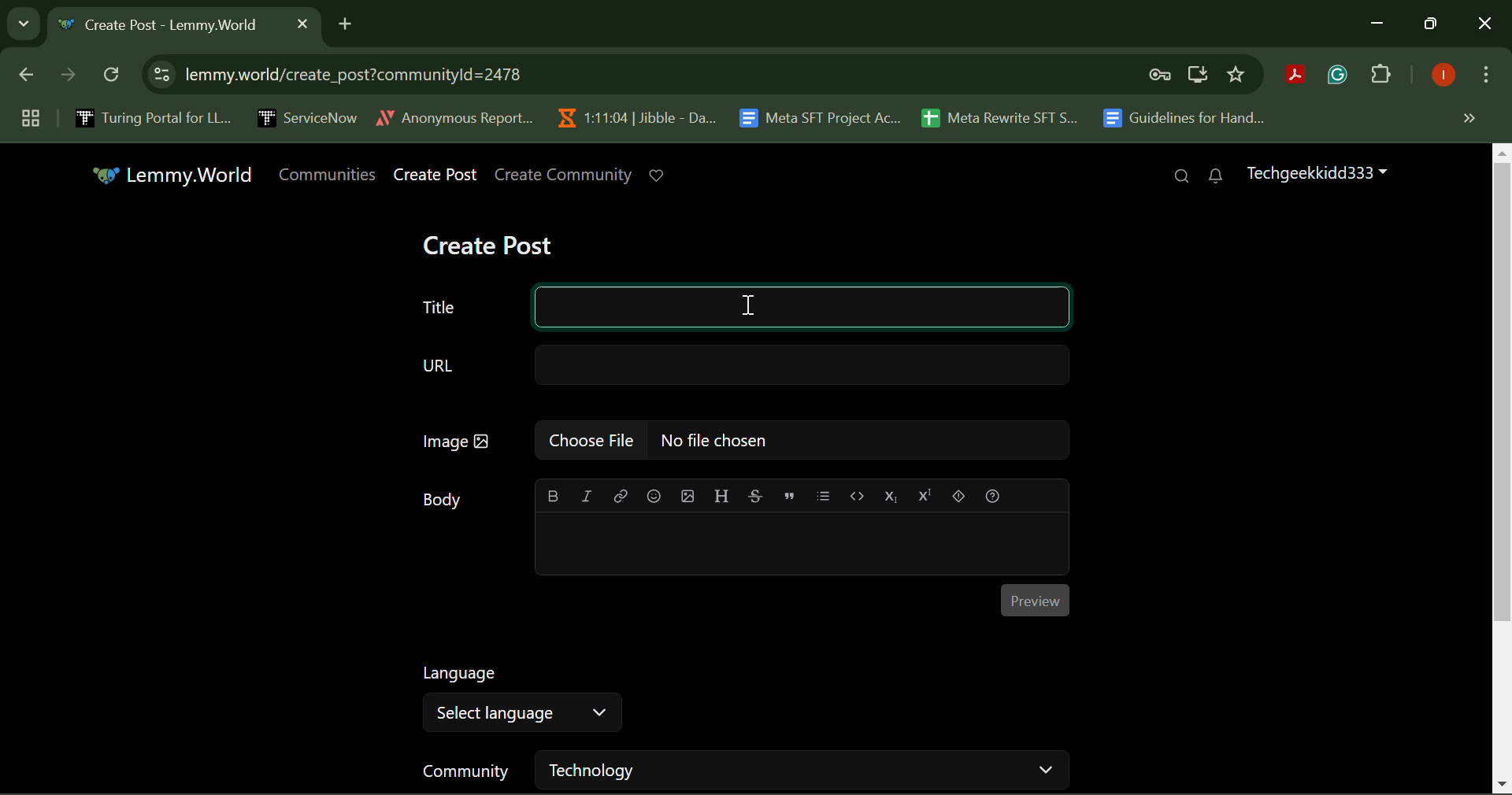 This screenshot has width=1512, height=795. What do you see at coordinates (150, 117) in the screenshot?
I see `Turing Portal for LLM` at bounding box center [150, 117].